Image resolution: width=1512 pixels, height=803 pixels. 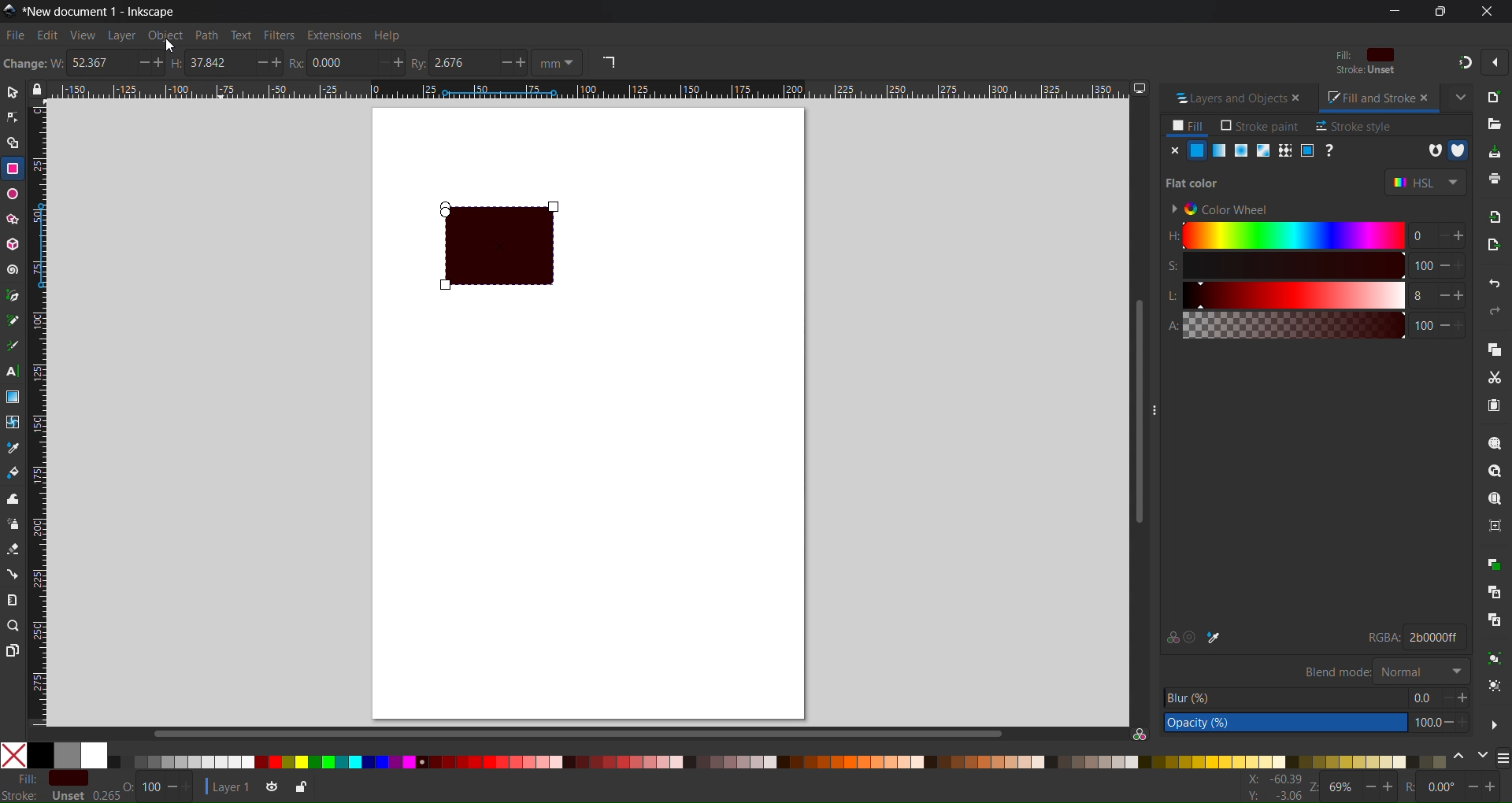 What do you see at coordinates (1496, 244) in the screenshot?
I see `Open Export` at bounding box center [1496, 244].